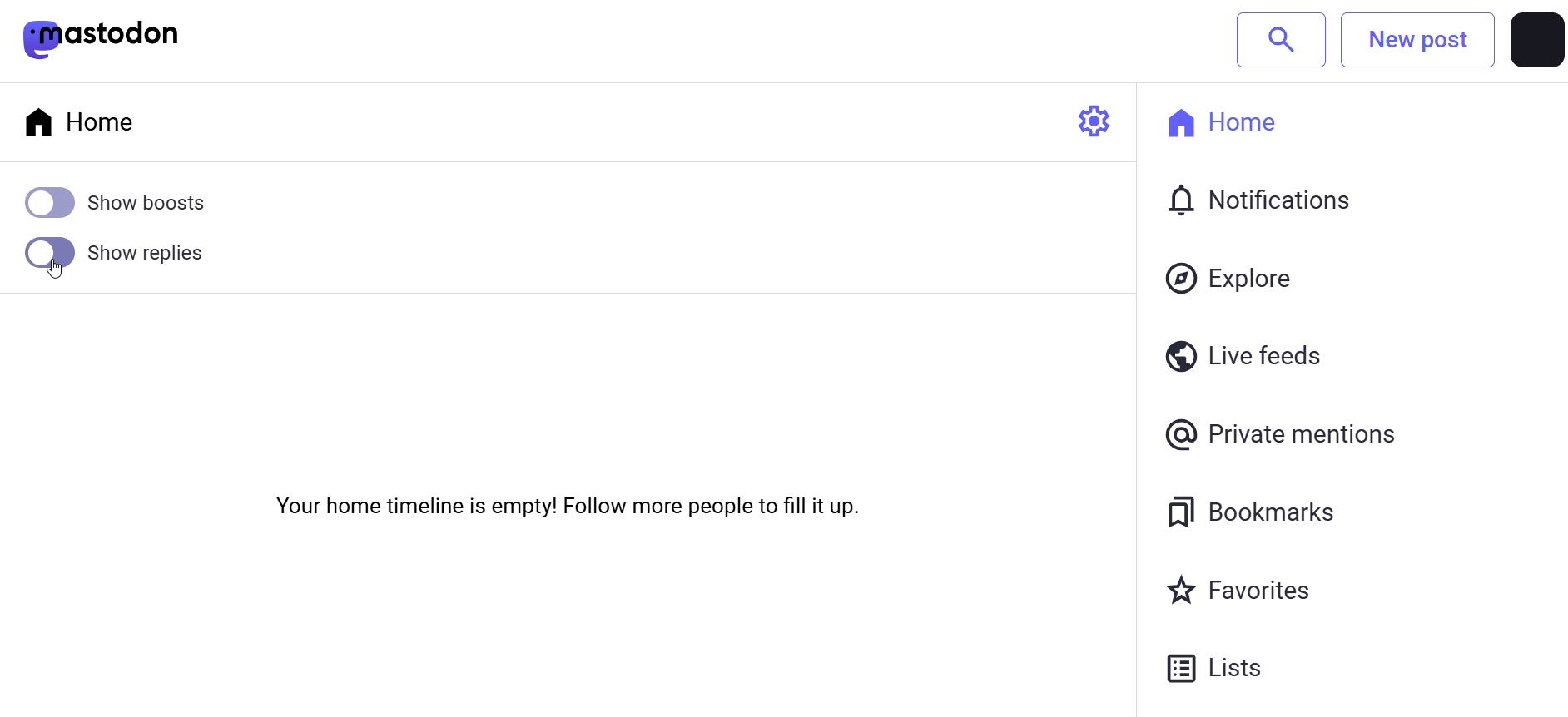  What do you see at coordinates (1253, 354) in the screenshot?
I see `live feeds` at bounding box center [1253, 354].